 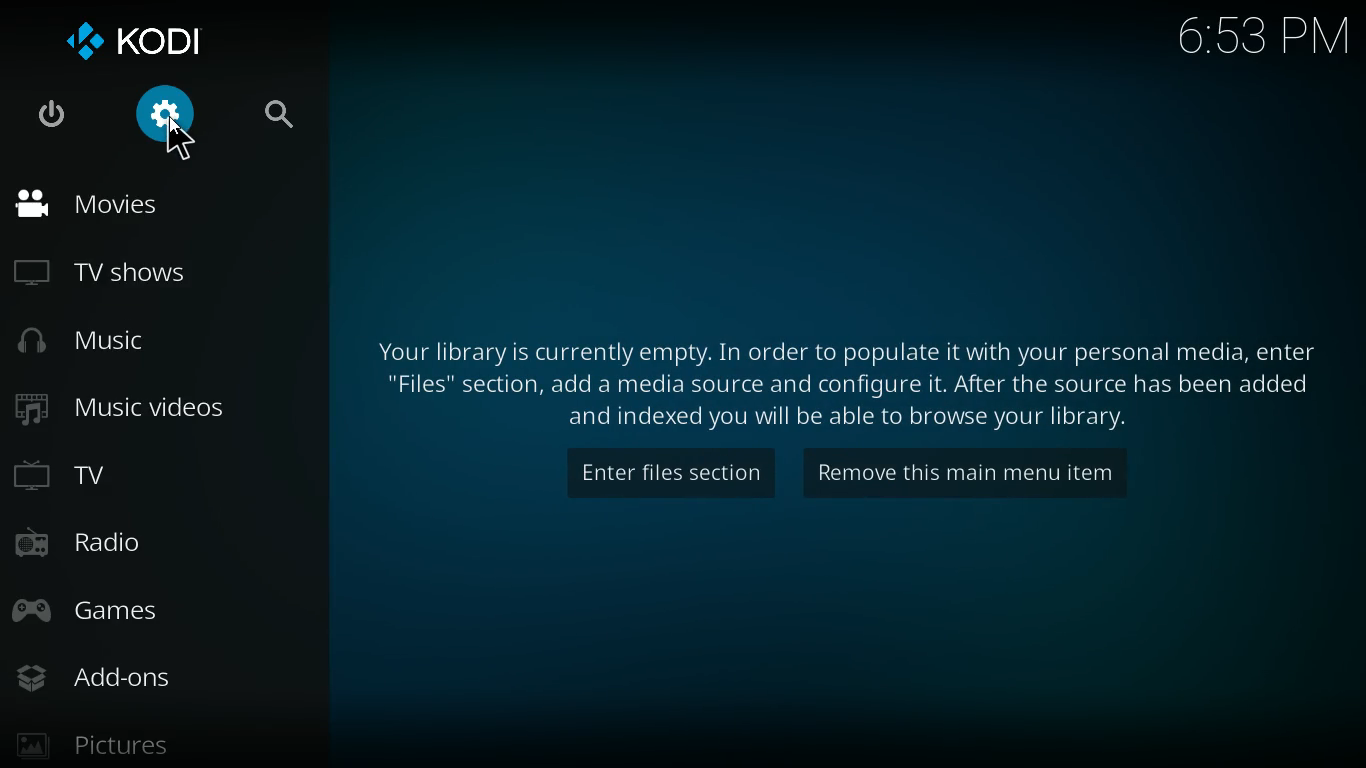 What do you see at coordinates (106, 742) in the screenshot?
I see `pictures` at bounding box center [106, 742].